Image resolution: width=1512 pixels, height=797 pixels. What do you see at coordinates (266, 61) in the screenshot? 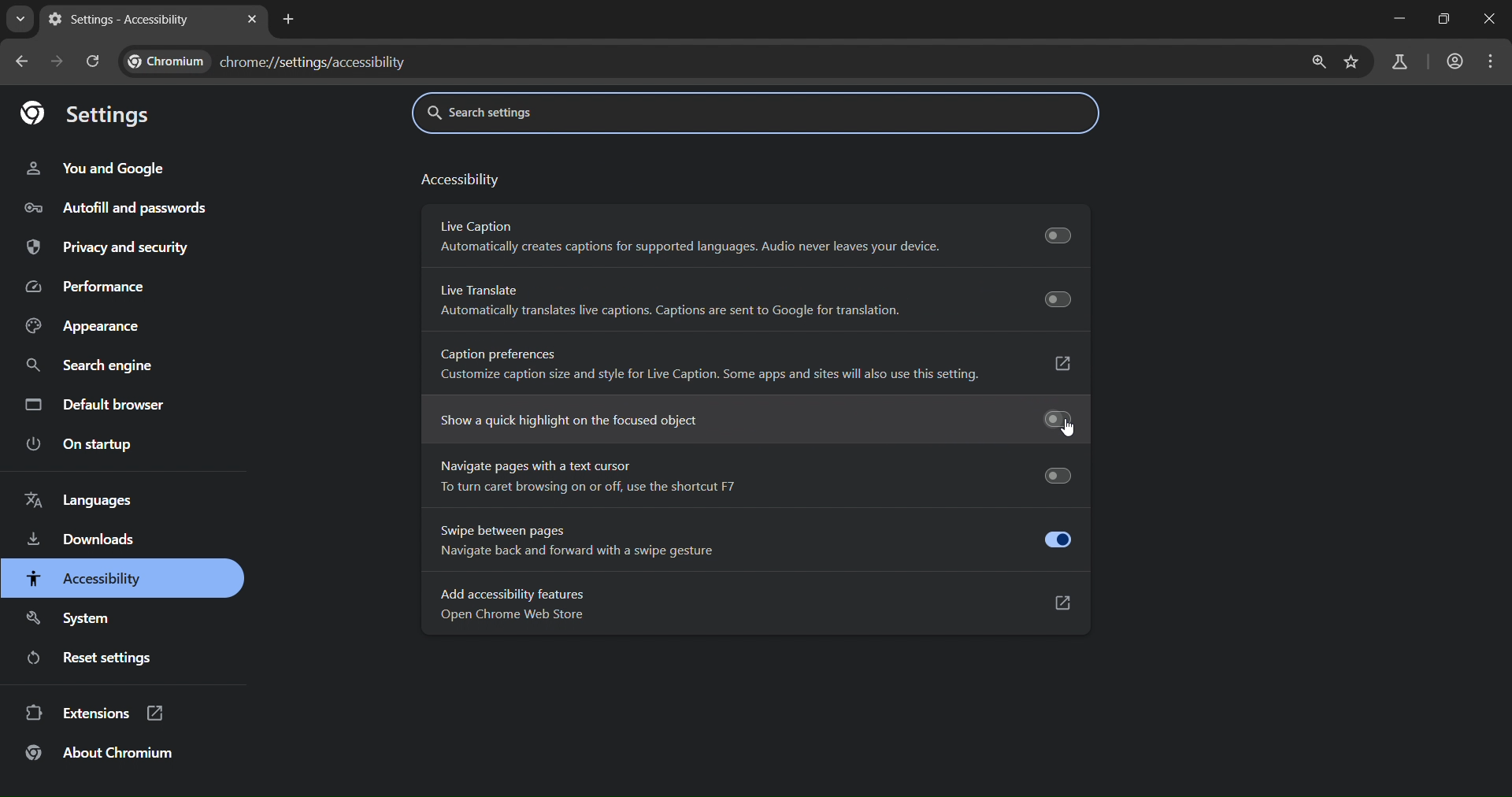
I see `chrome://settings/accessibility` at bounding box center [266, 61].